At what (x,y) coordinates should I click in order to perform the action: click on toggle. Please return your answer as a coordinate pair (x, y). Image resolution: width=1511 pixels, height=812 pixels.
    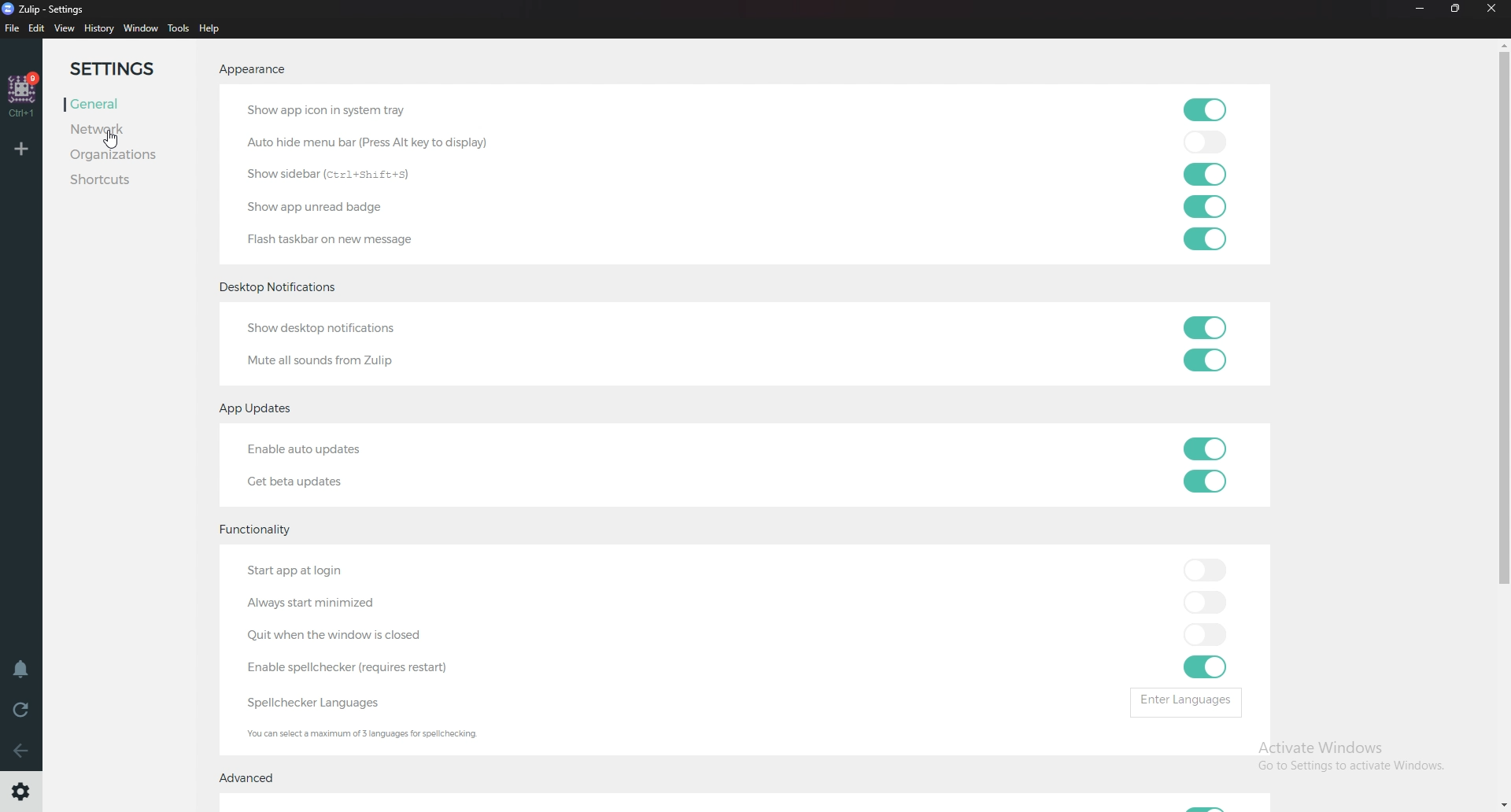
    Looking at the image, I should click on (1203, 240).